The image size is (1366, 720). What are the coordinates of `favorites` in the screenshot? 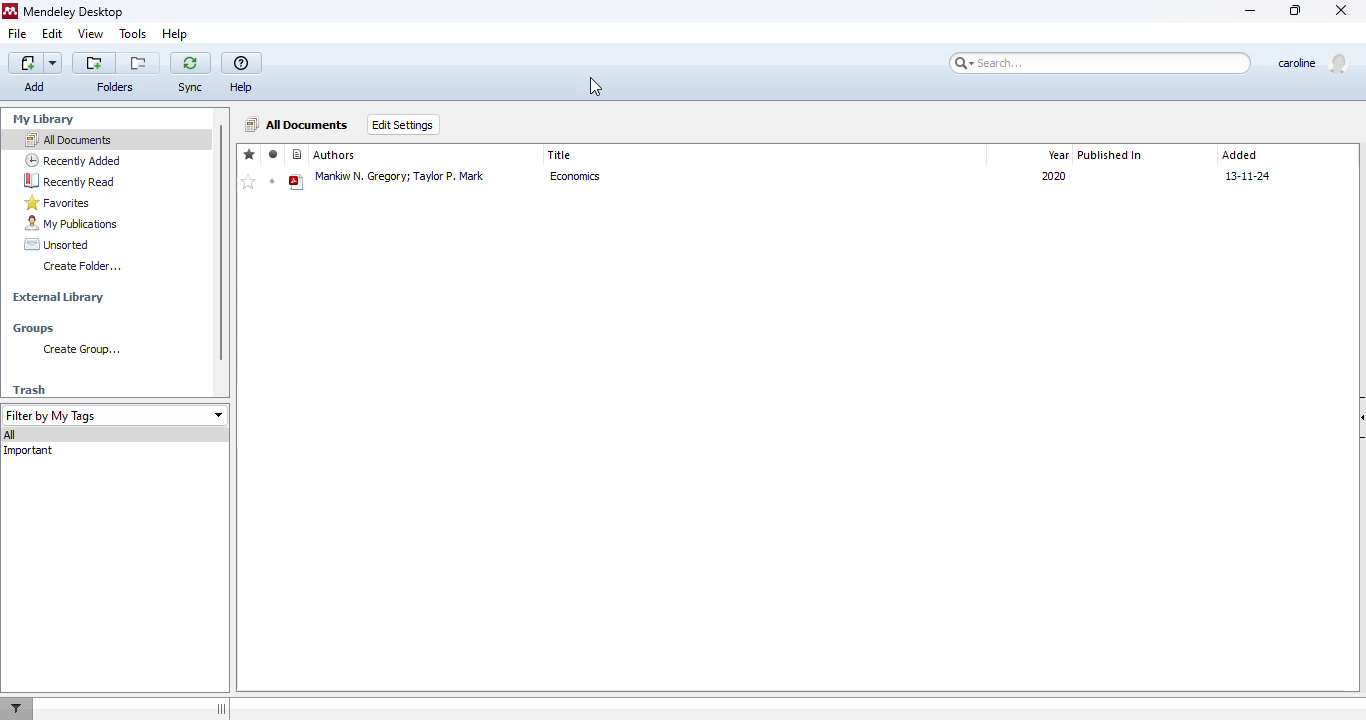 It's located at (250, 154).